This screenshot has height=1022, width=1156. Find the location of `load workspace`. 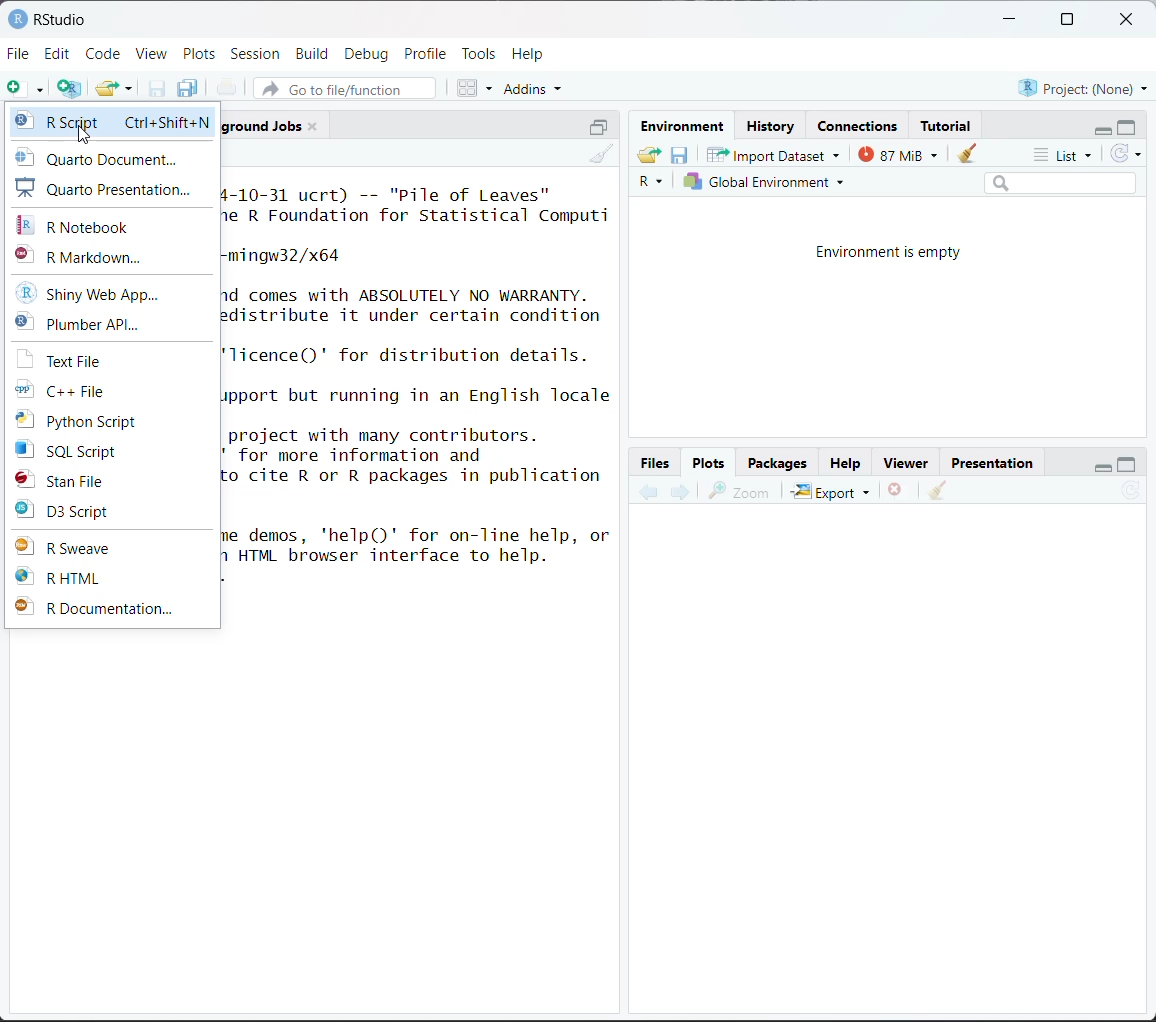

load workspace is located at coordinates (652, 157).